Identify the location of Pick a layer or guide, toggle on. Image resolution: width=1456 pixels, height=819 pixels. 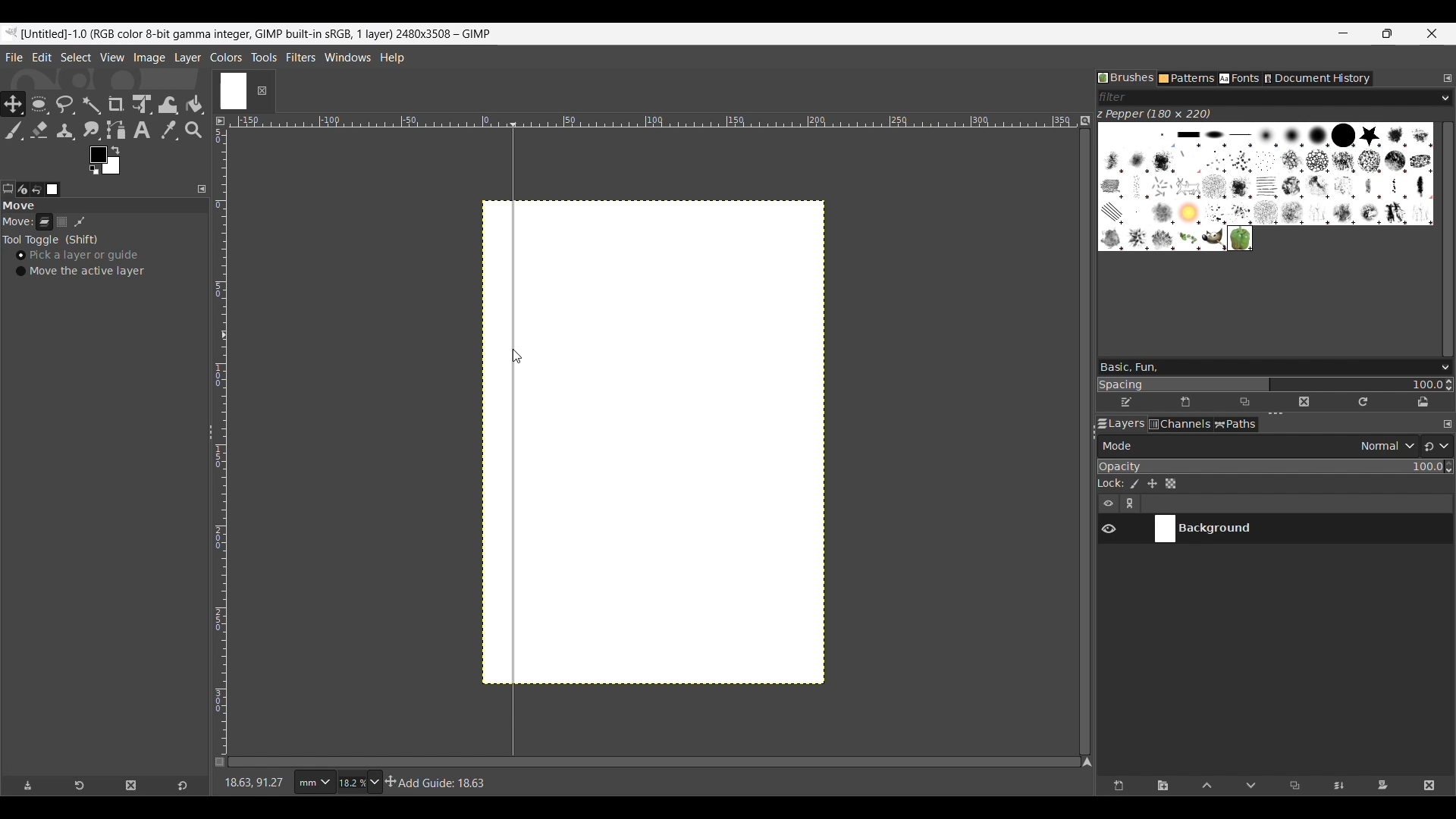
(77, 256).